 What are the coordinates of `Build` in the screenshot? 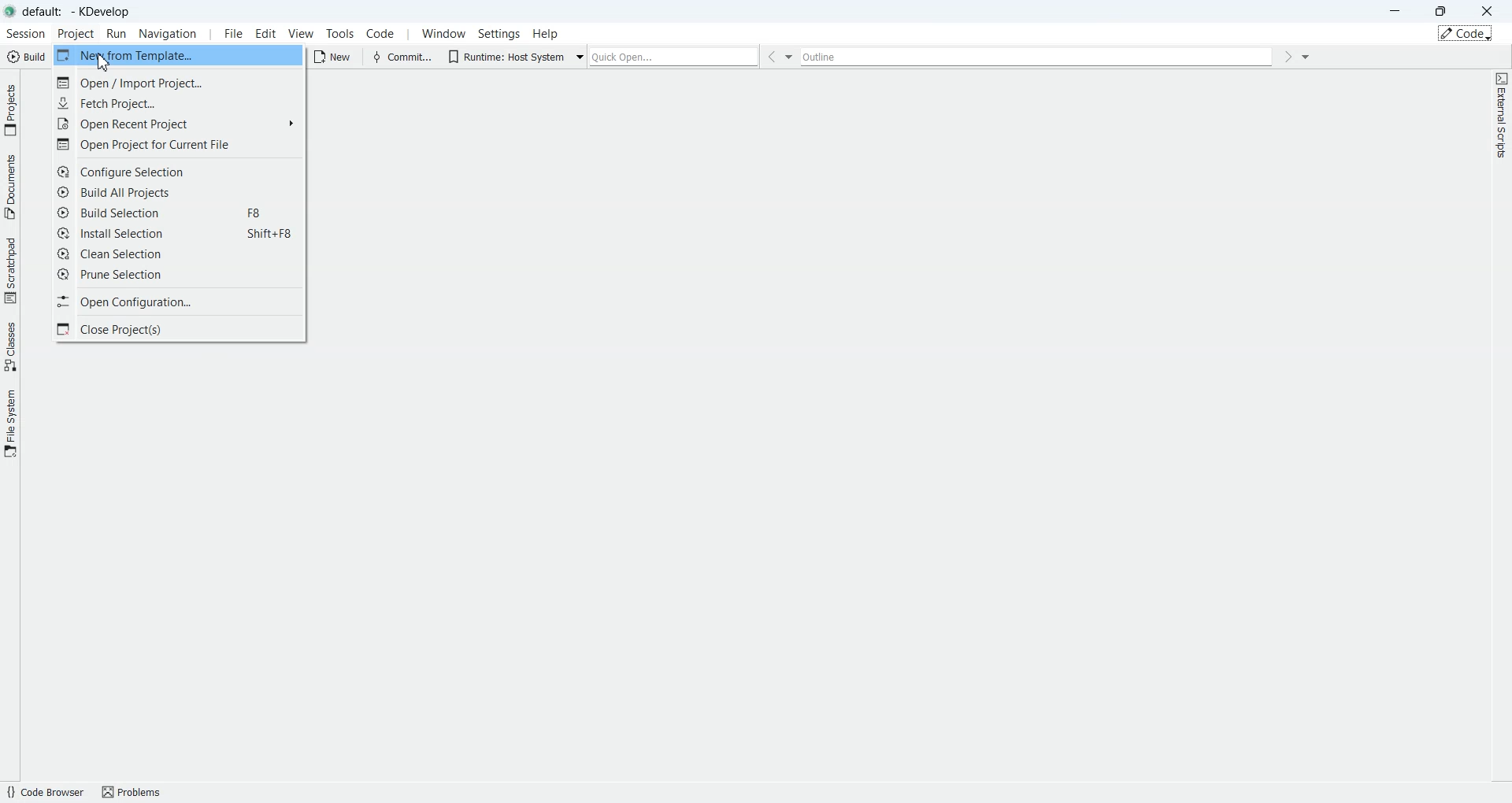 It's located at (25, 56).